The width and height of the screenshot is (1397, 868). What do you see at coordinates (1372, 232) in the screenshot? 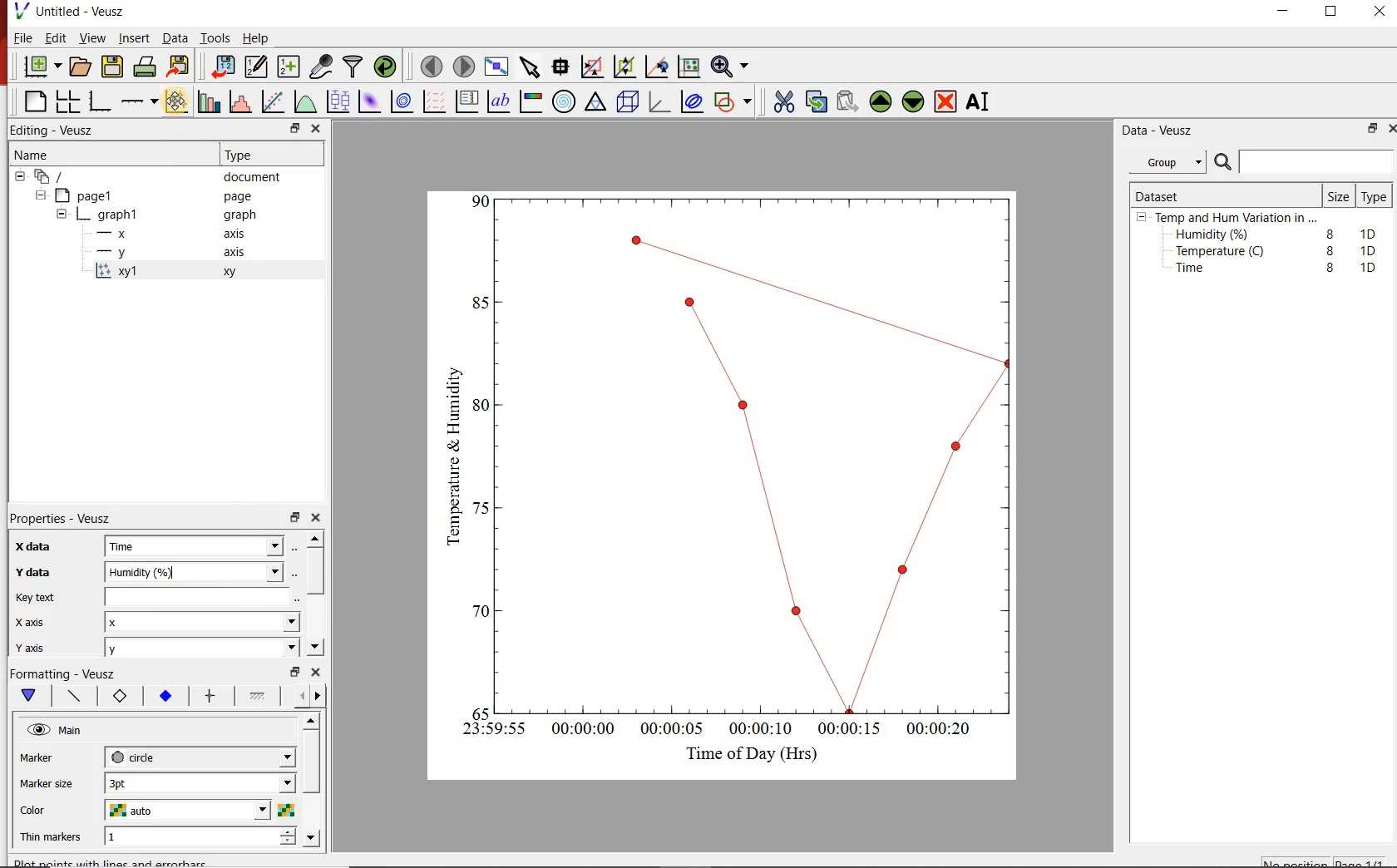
I see `1D` at bounding box center [1372, 232].